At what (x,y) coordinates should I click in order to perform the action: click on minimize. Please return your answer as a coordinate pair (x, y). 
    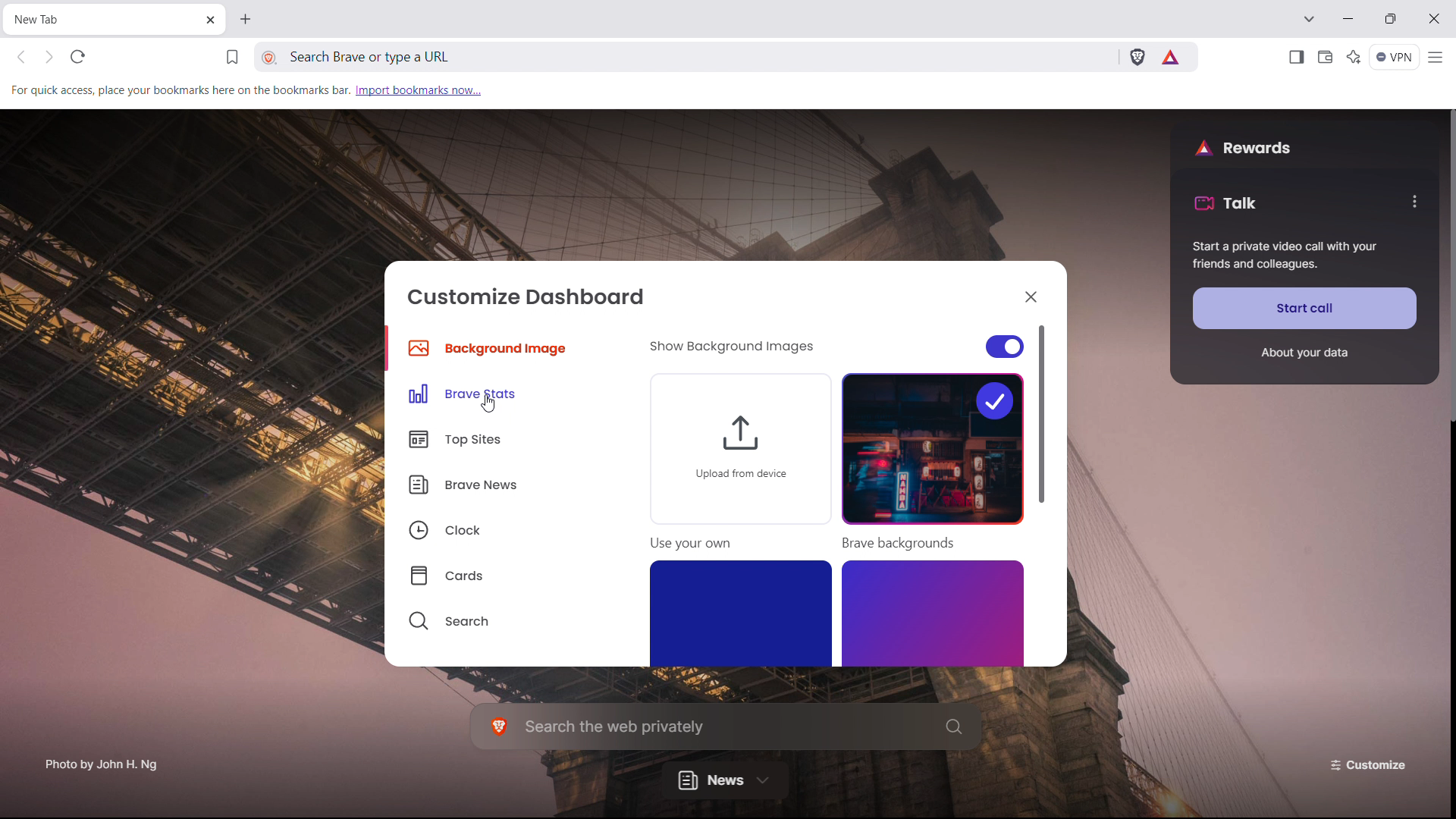
    Looking at the image, I should click on (1349, 17).